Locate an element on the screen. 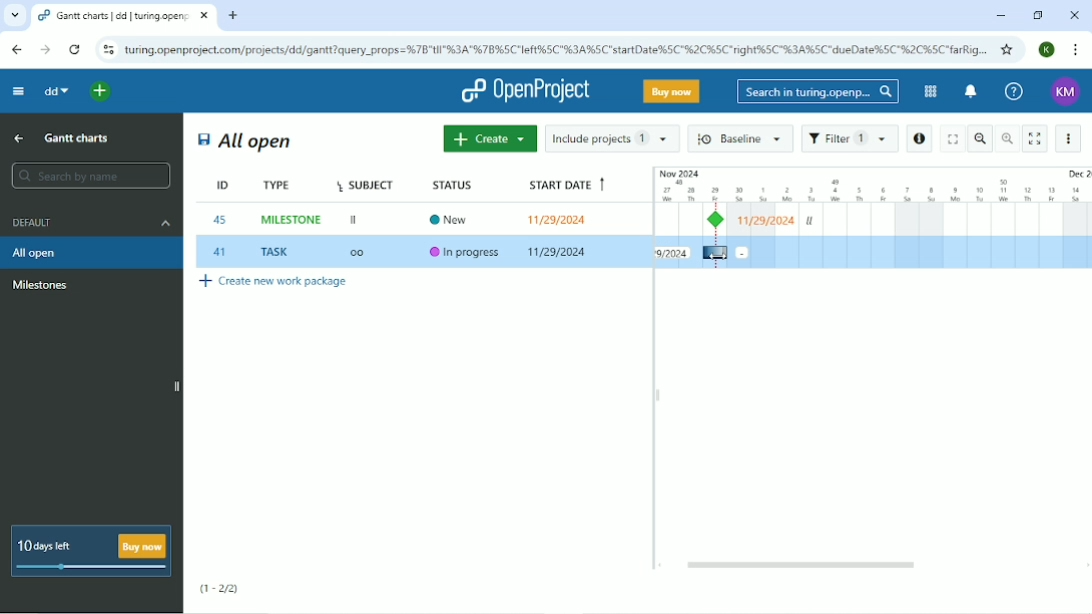  New tab is located at coordinates (235, 15).